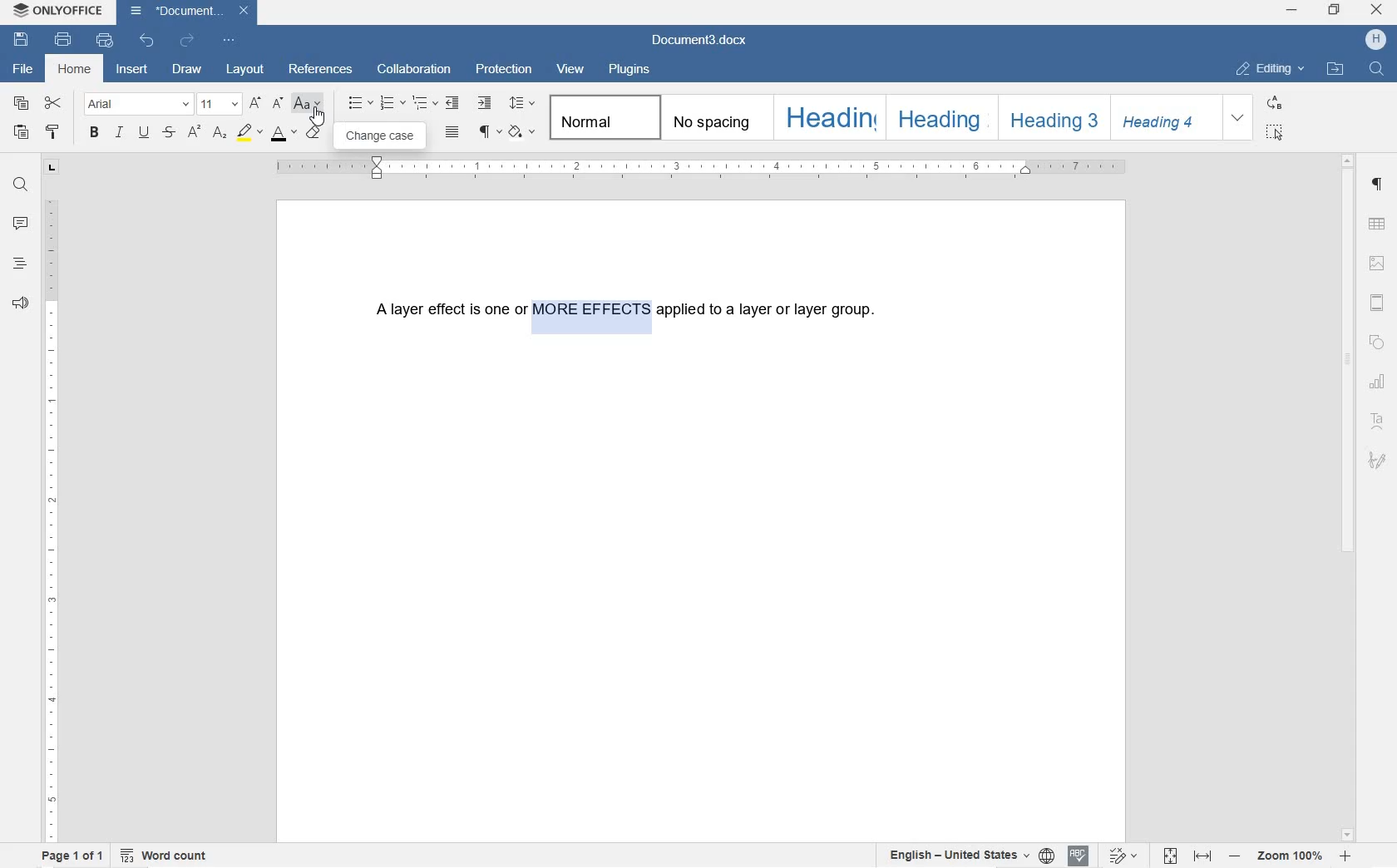 This screenshot has height=868, width=1397. I want to click on HEADERS & FOOTERS, so click(1377, 303).